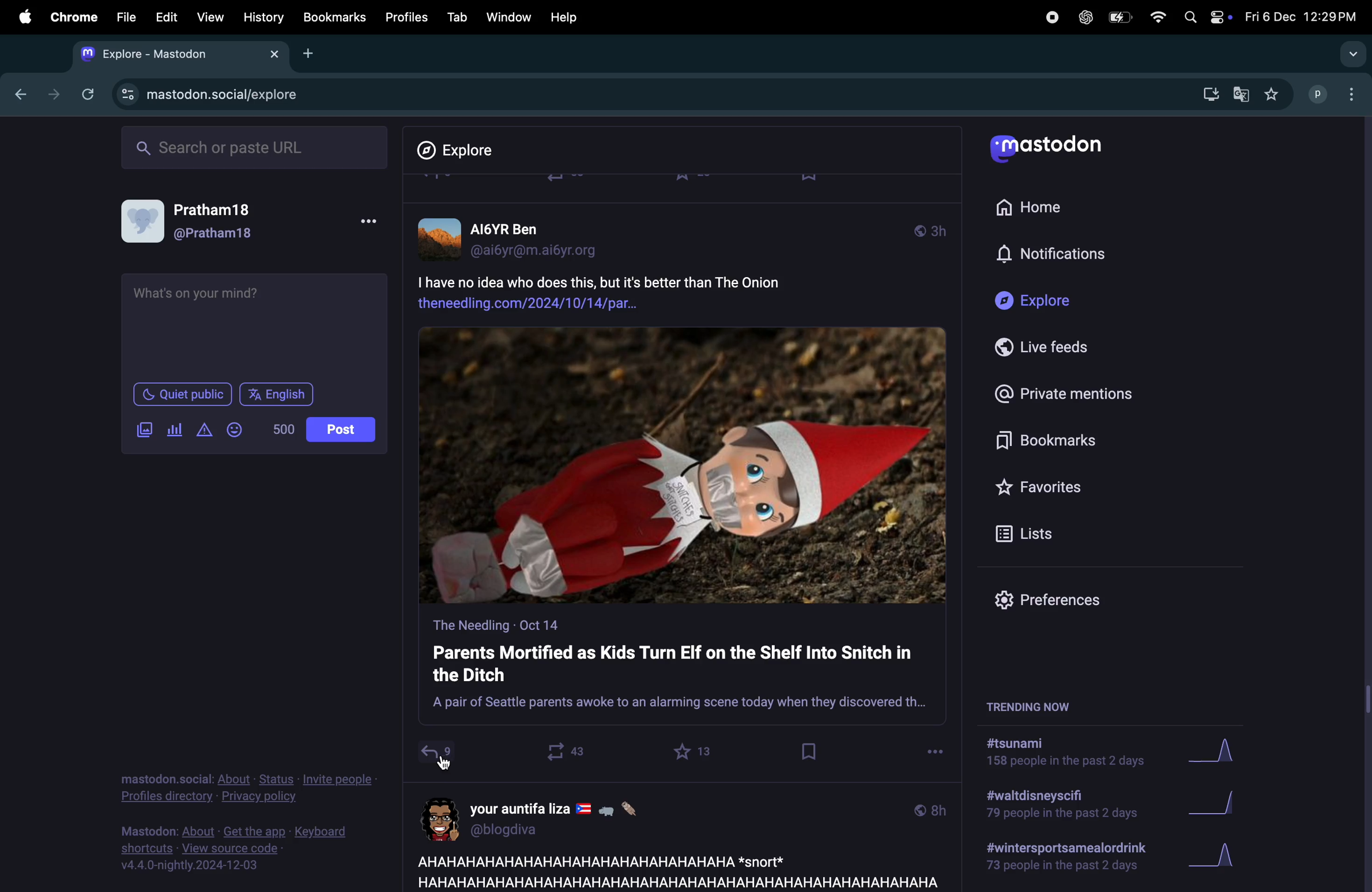  What do you see at coordinates (183, 394) in the screenshot?
I see `quiet place` at bounding box center [183, 394].